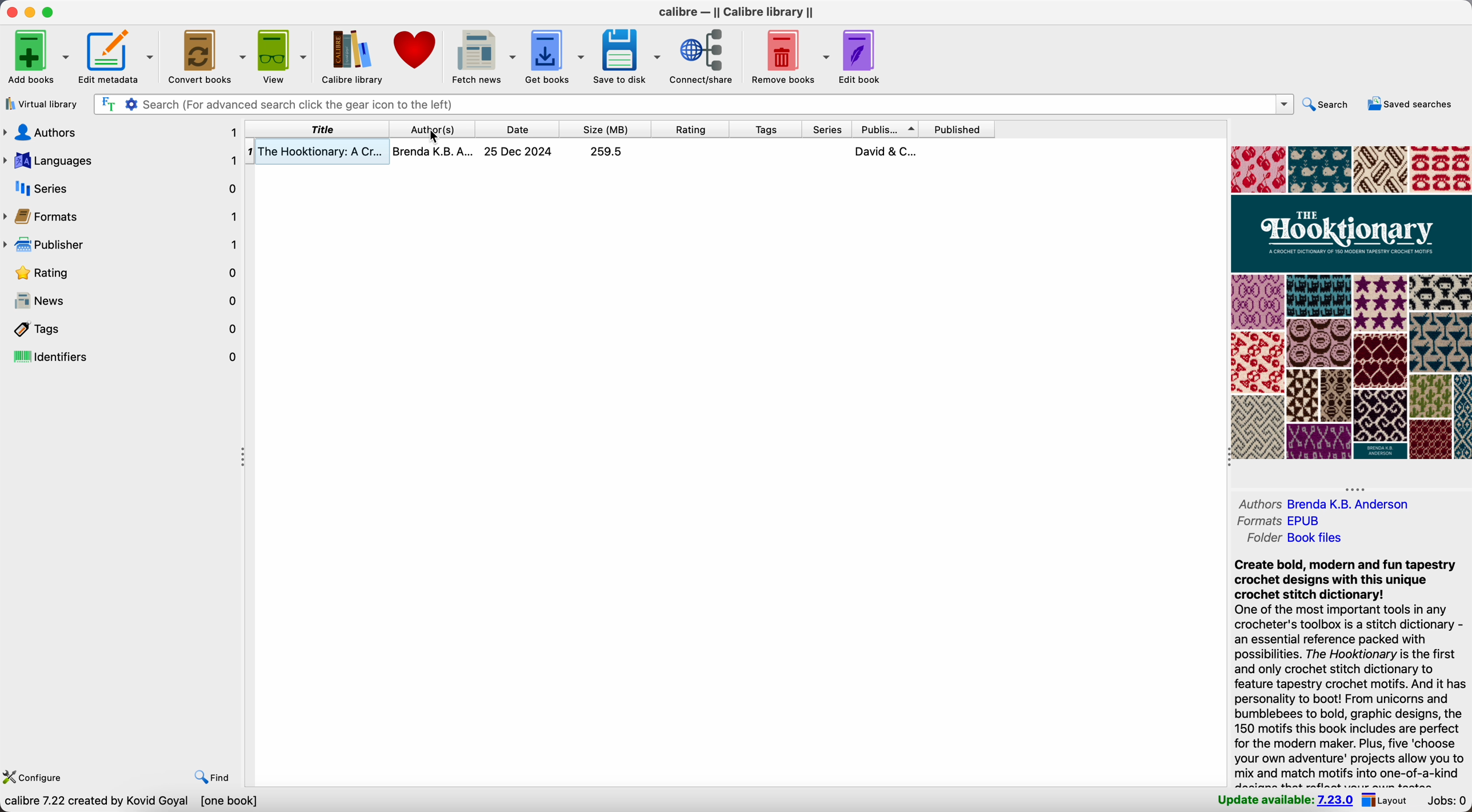  Describe the element at coordinates (434, 139) in the screenshot. I see `cursor` at that location.